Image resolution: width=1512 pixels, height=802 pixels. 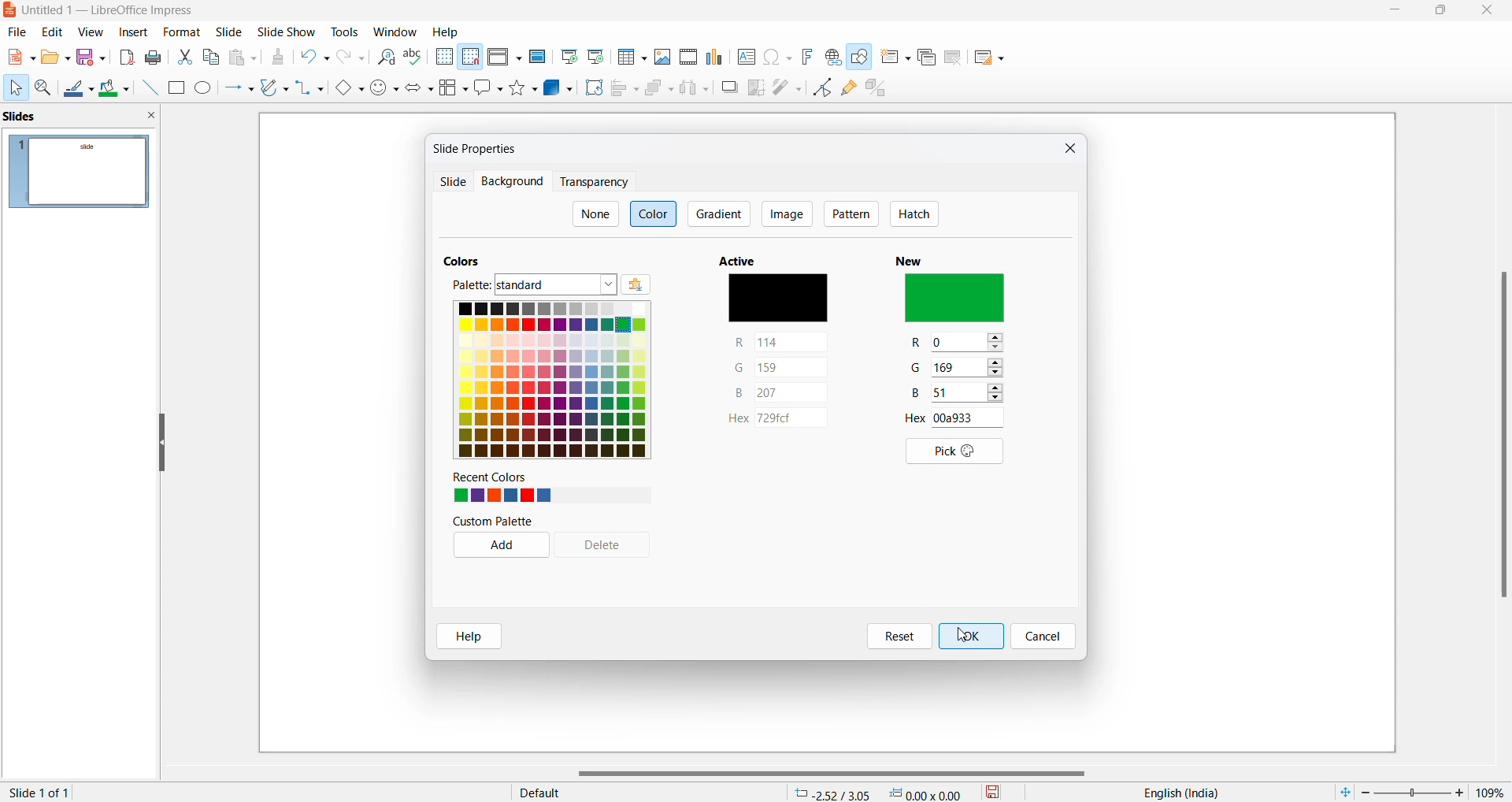 I want to click on slide, so click(x=231, y=32).